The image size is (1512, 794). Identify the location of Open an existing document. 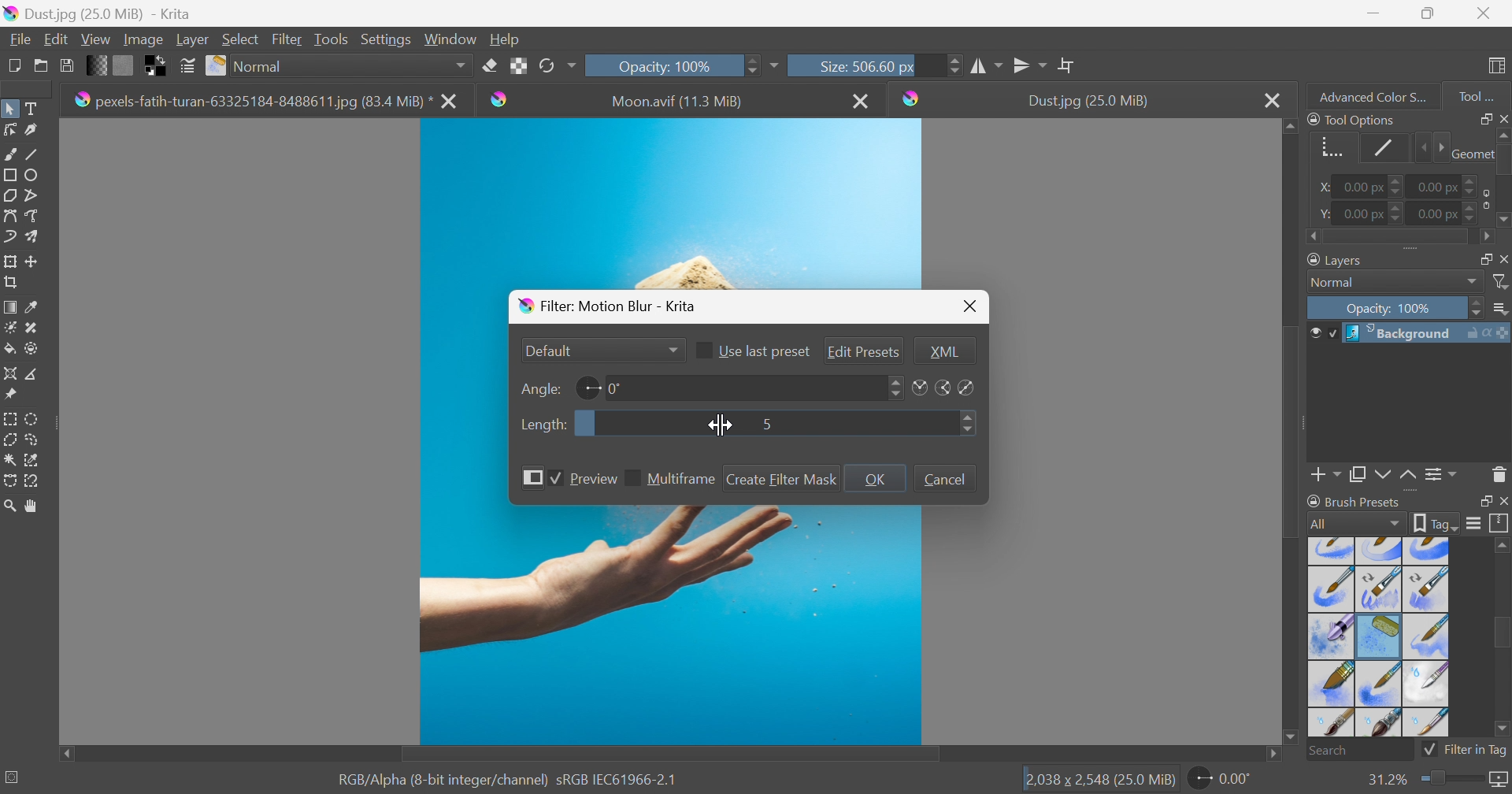
(42, 66).